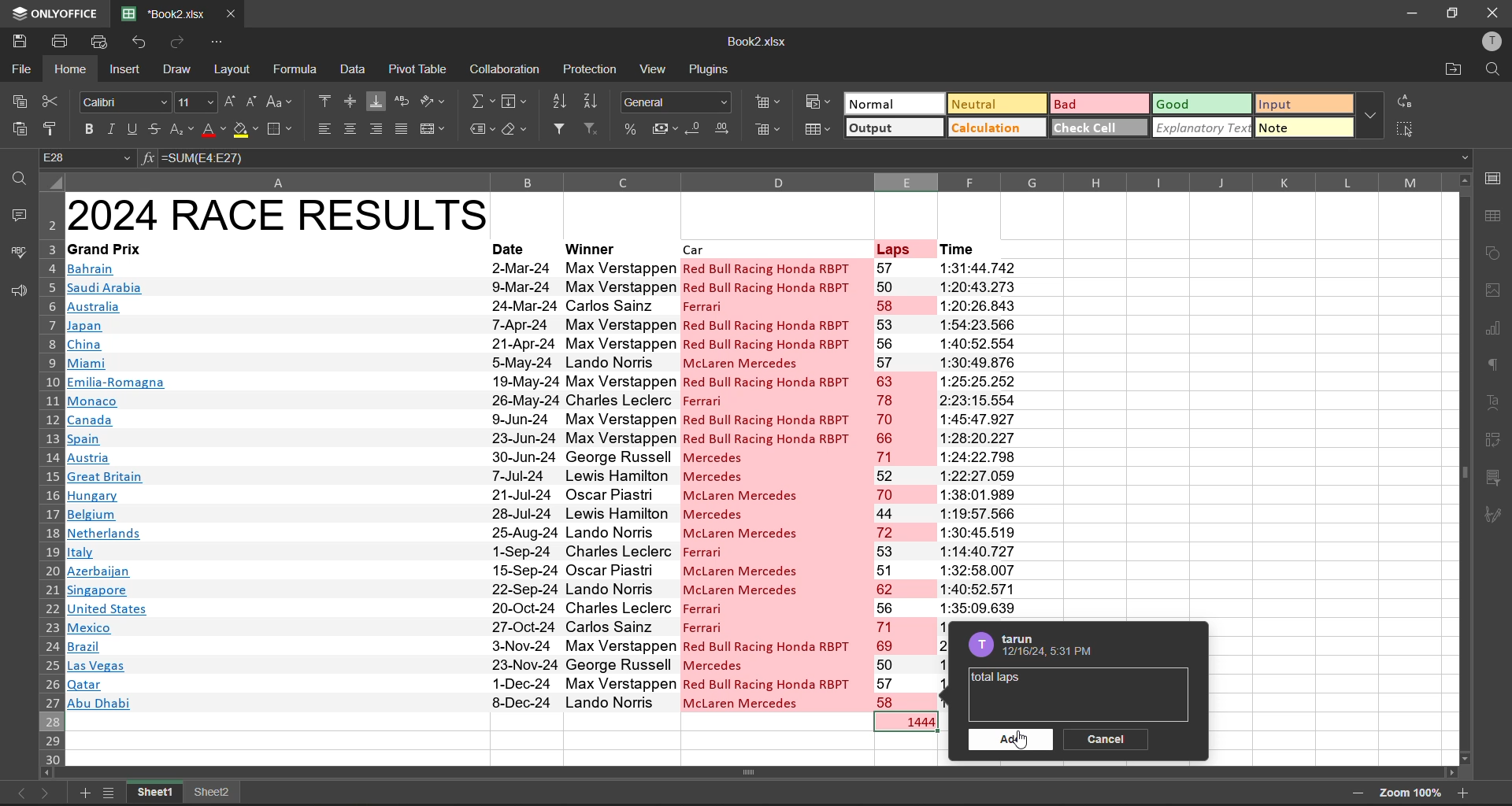  I want to click on scrollbar, so click(755, 771).